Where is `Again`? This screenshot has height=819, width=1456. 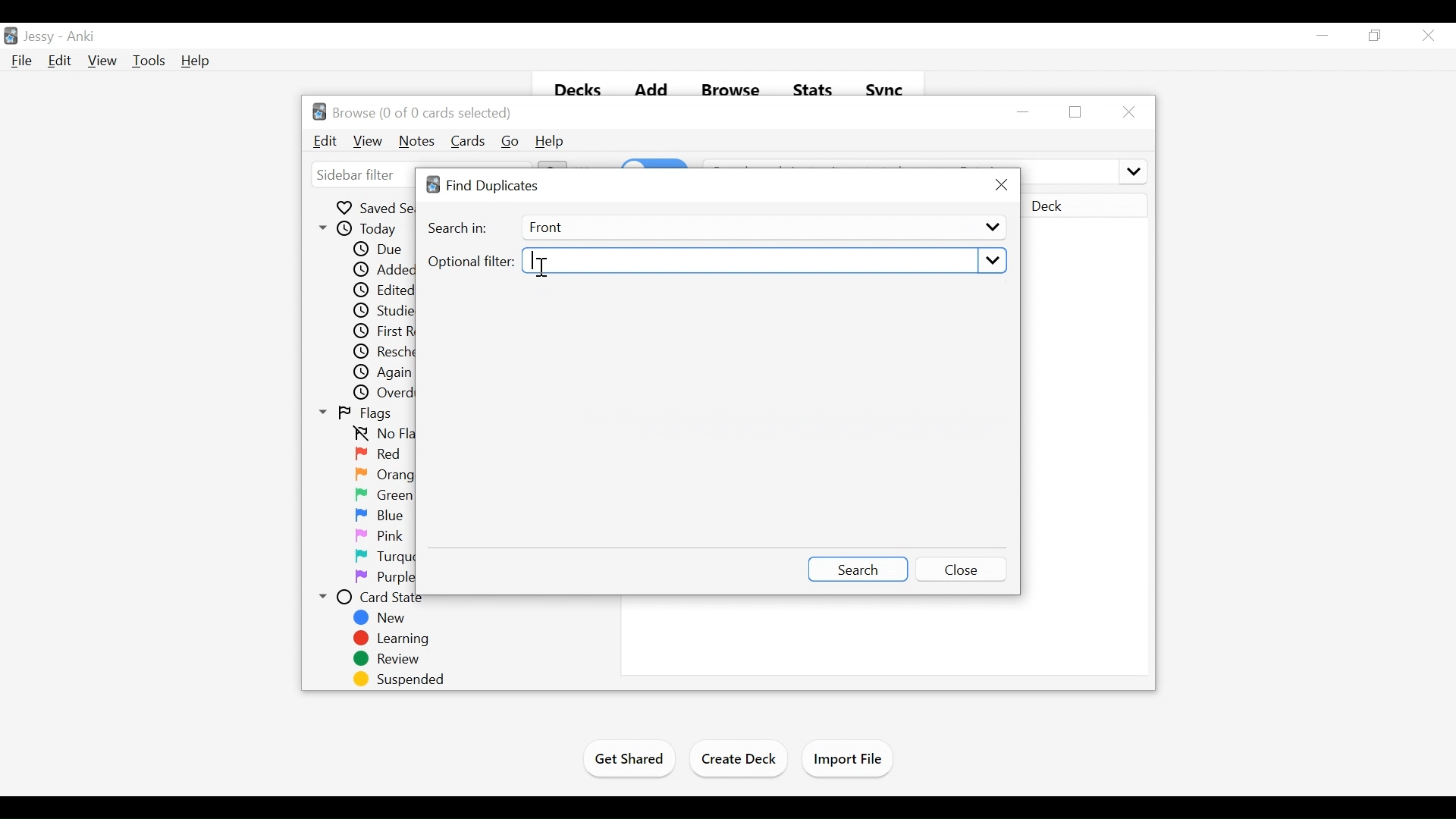
Again is located at coordinates (384, 373).